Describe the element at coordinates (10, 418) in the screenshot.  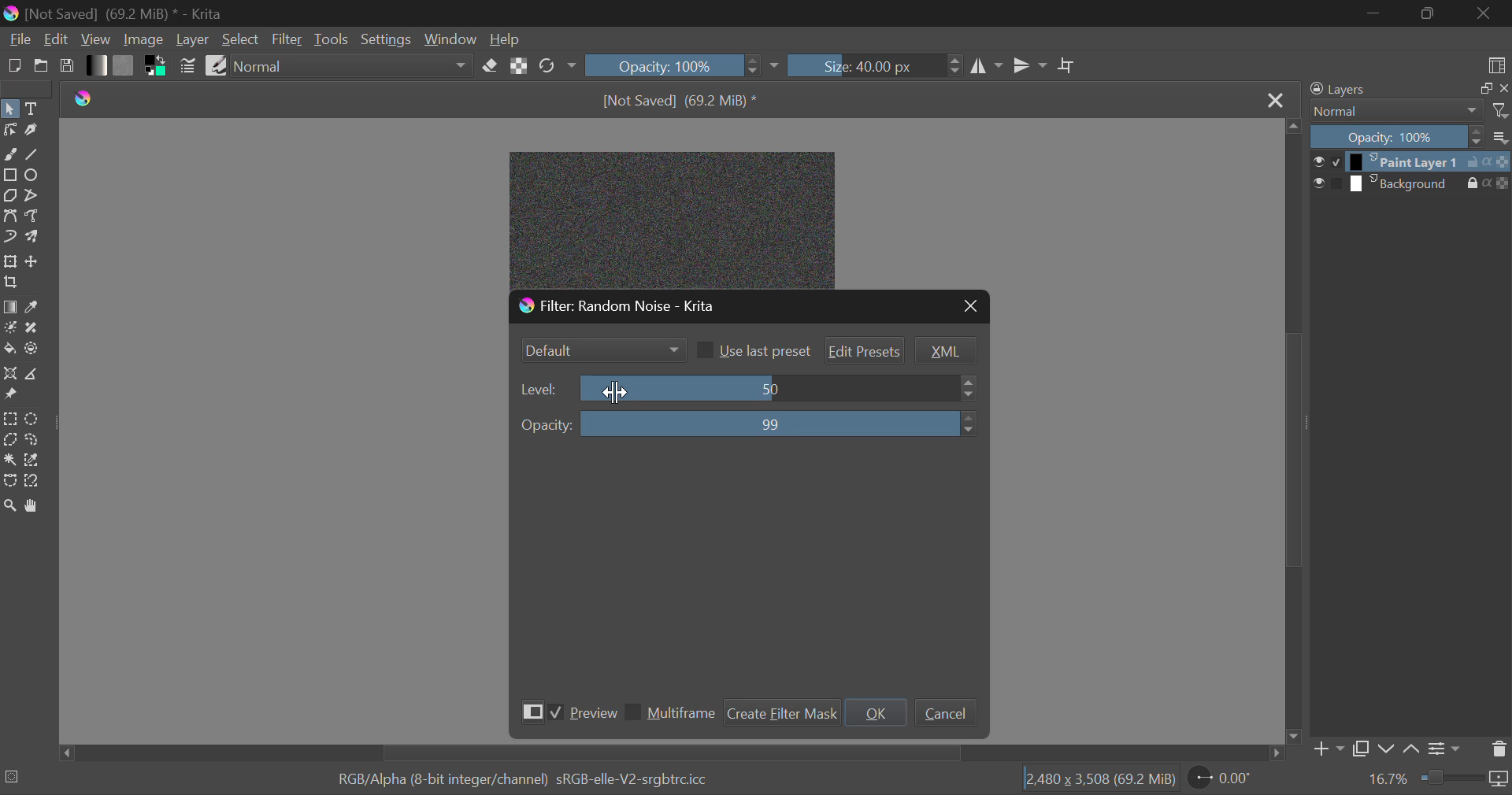
I see `Rectangular Selection` at that location.